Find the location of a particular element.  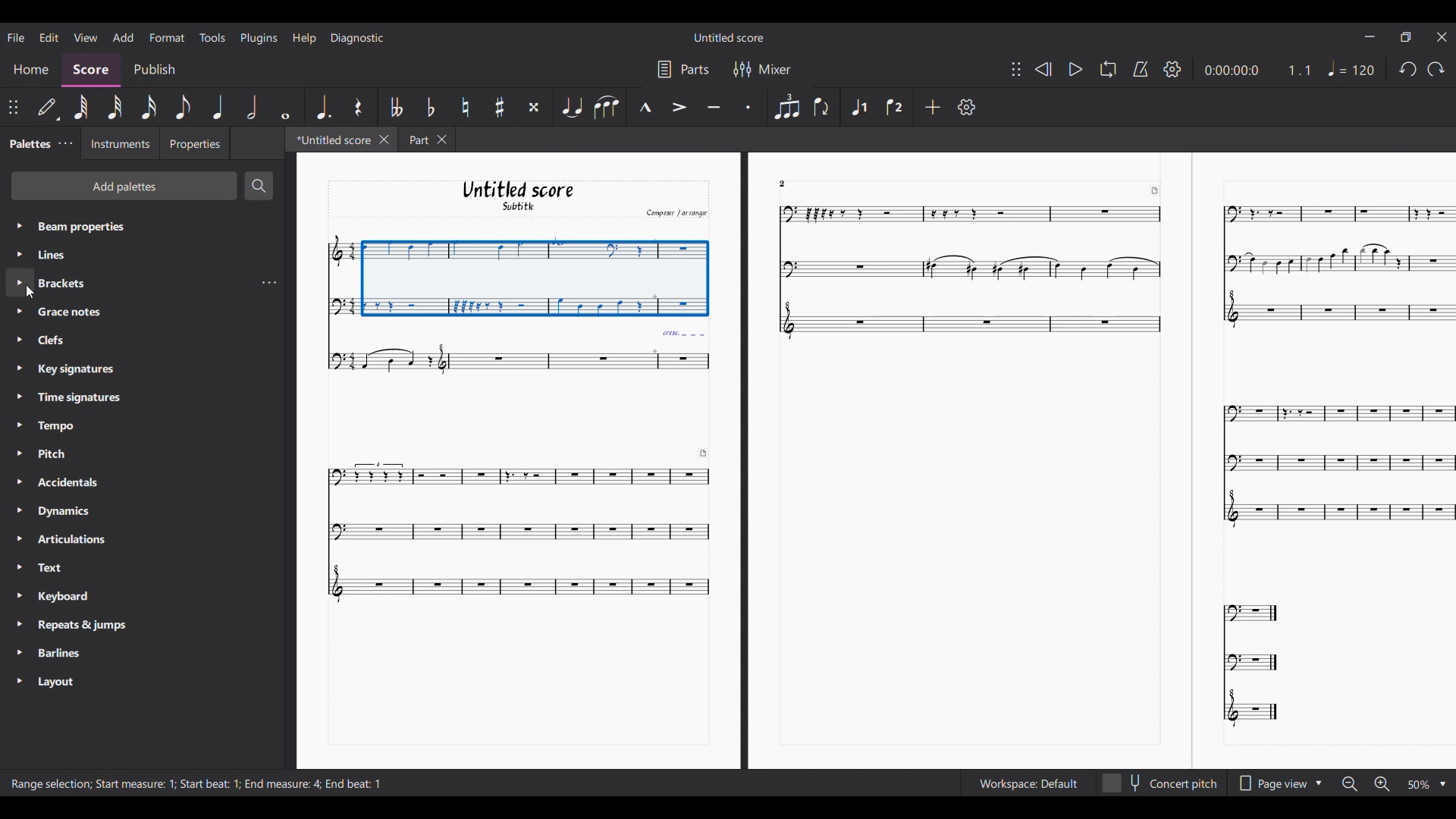

Search is located at coordinates (259, 186).